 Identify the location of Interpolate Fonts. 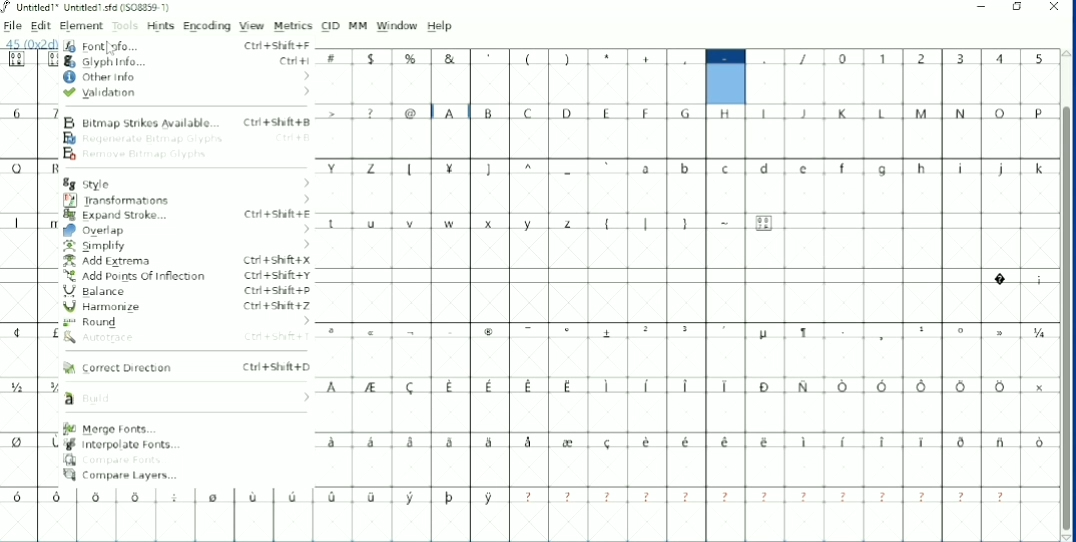
(123, 444).